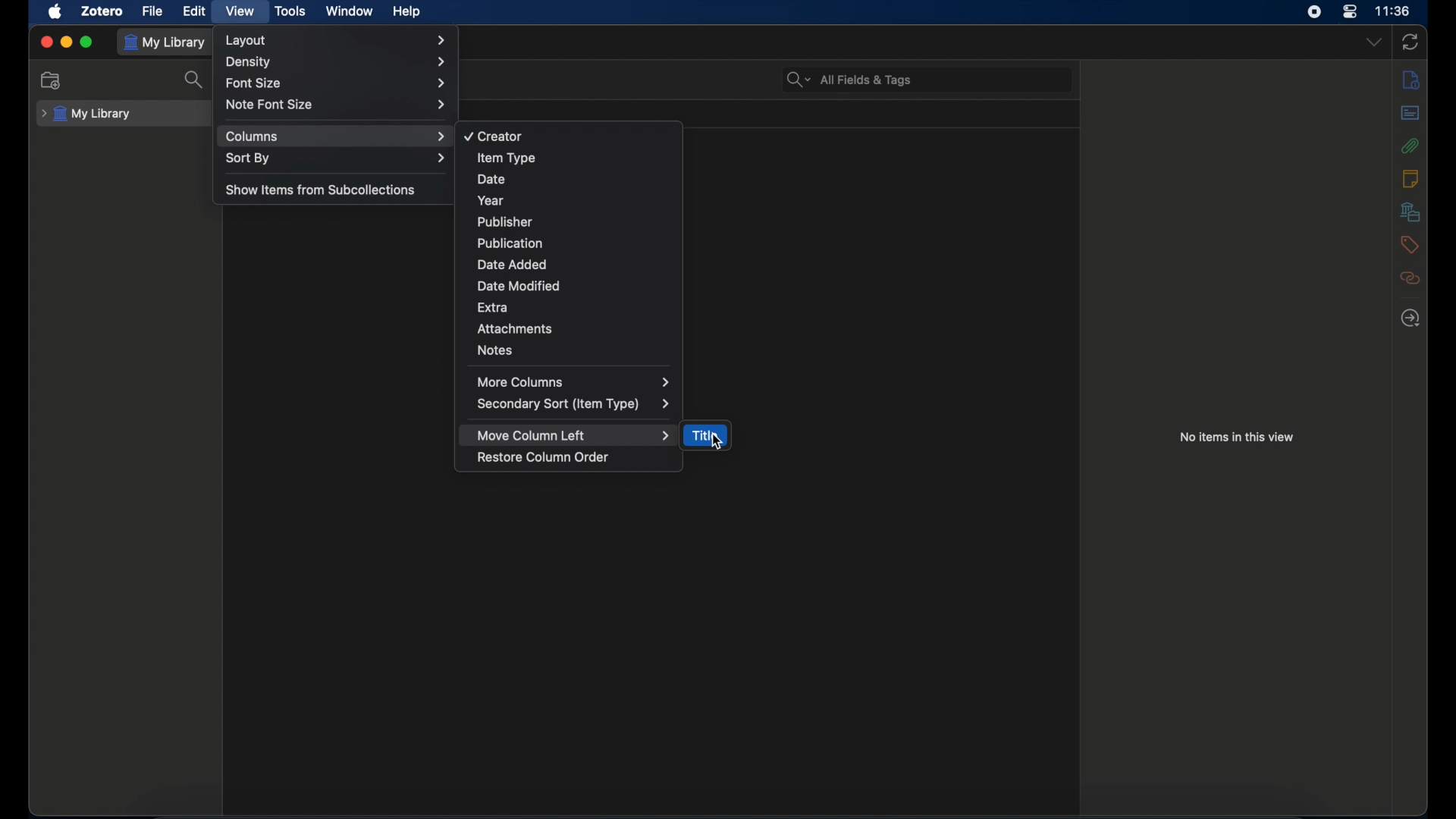 This screenshot has width=1456, height=819. What do you see at coordinates (102, 11) in the screenshot?
I see `zotero` at bounding box center [102, 11].